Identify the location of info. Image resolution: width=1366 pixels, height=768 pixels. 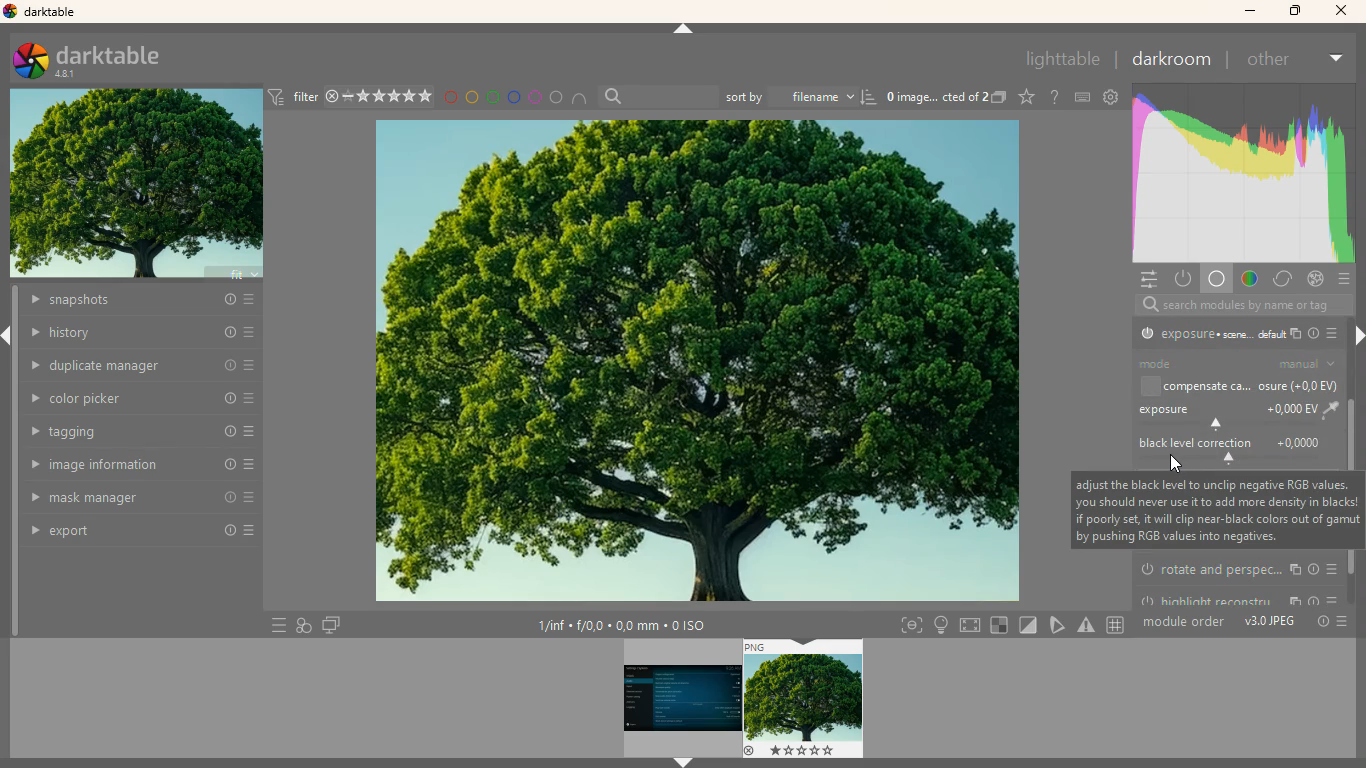
(1316, 335).